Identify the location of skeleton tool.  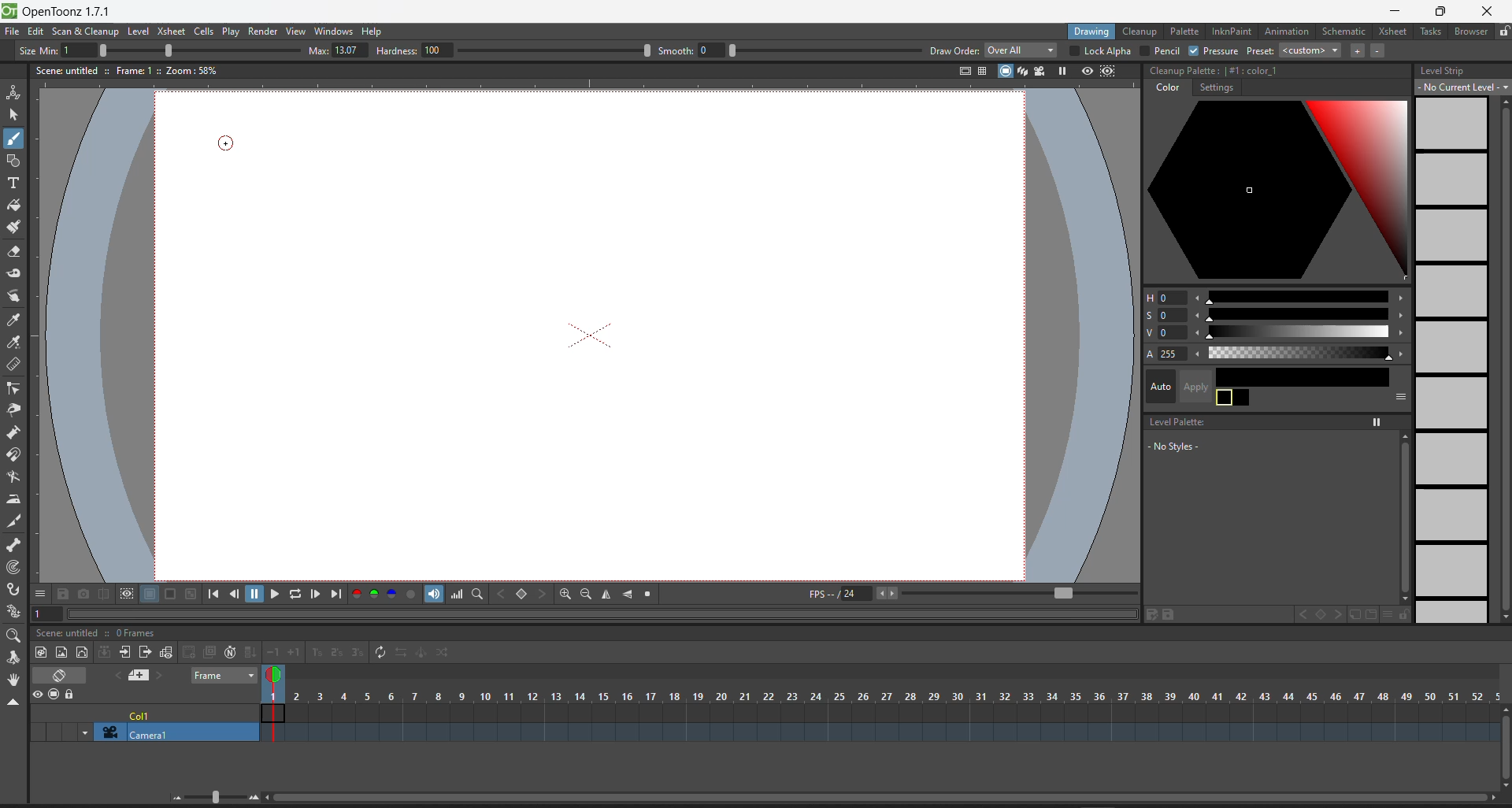
(14, 544).